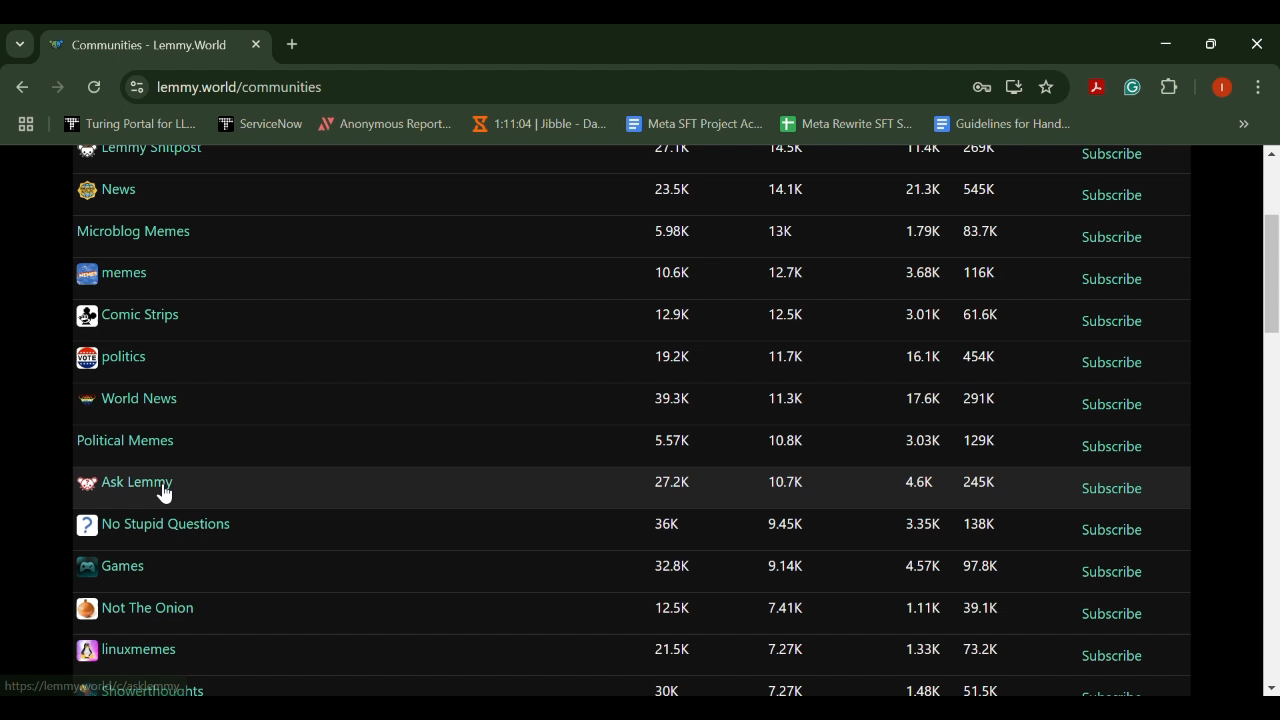 The width and height of the screenshot is (1280, 720). What do you see at coordinates (126, 317) in the screenshot?
I see `Comic Strips` at bounding box center [126, 317].